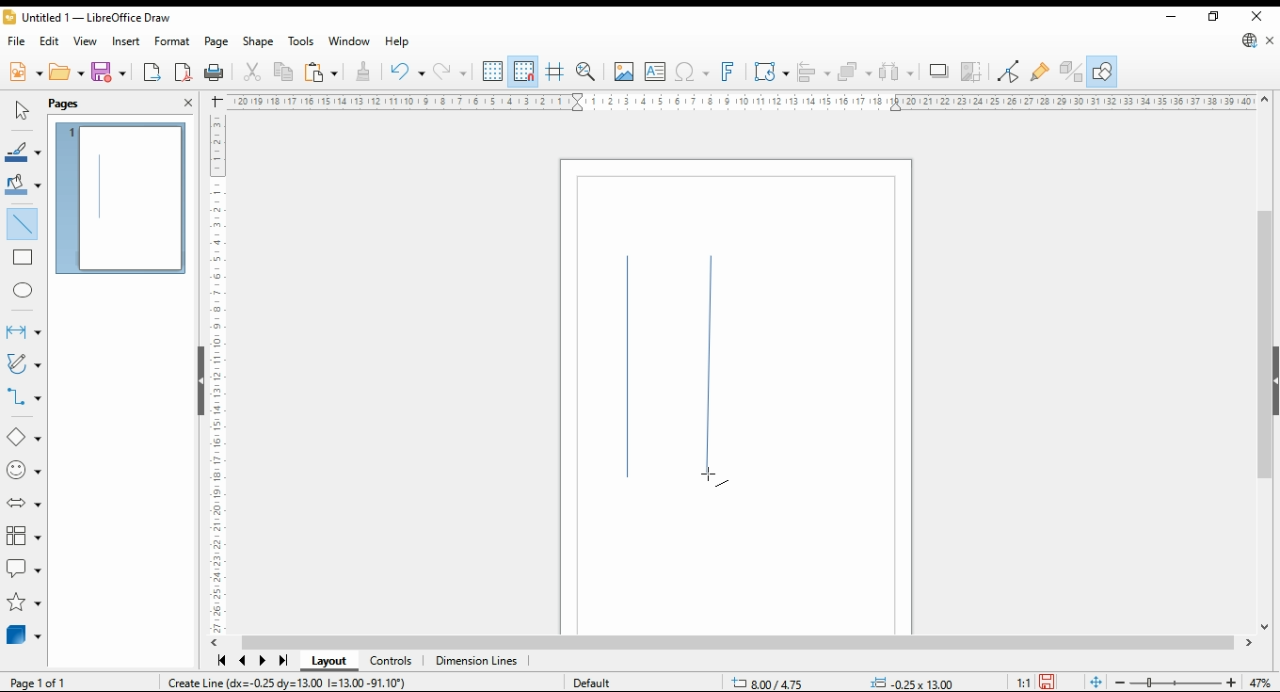 Image resolution: width=1280 pixels, height=692 pixels. What do you see at coordinates (22, 110) in the screenshot?
I see `select` at bounding box center [22, 110].